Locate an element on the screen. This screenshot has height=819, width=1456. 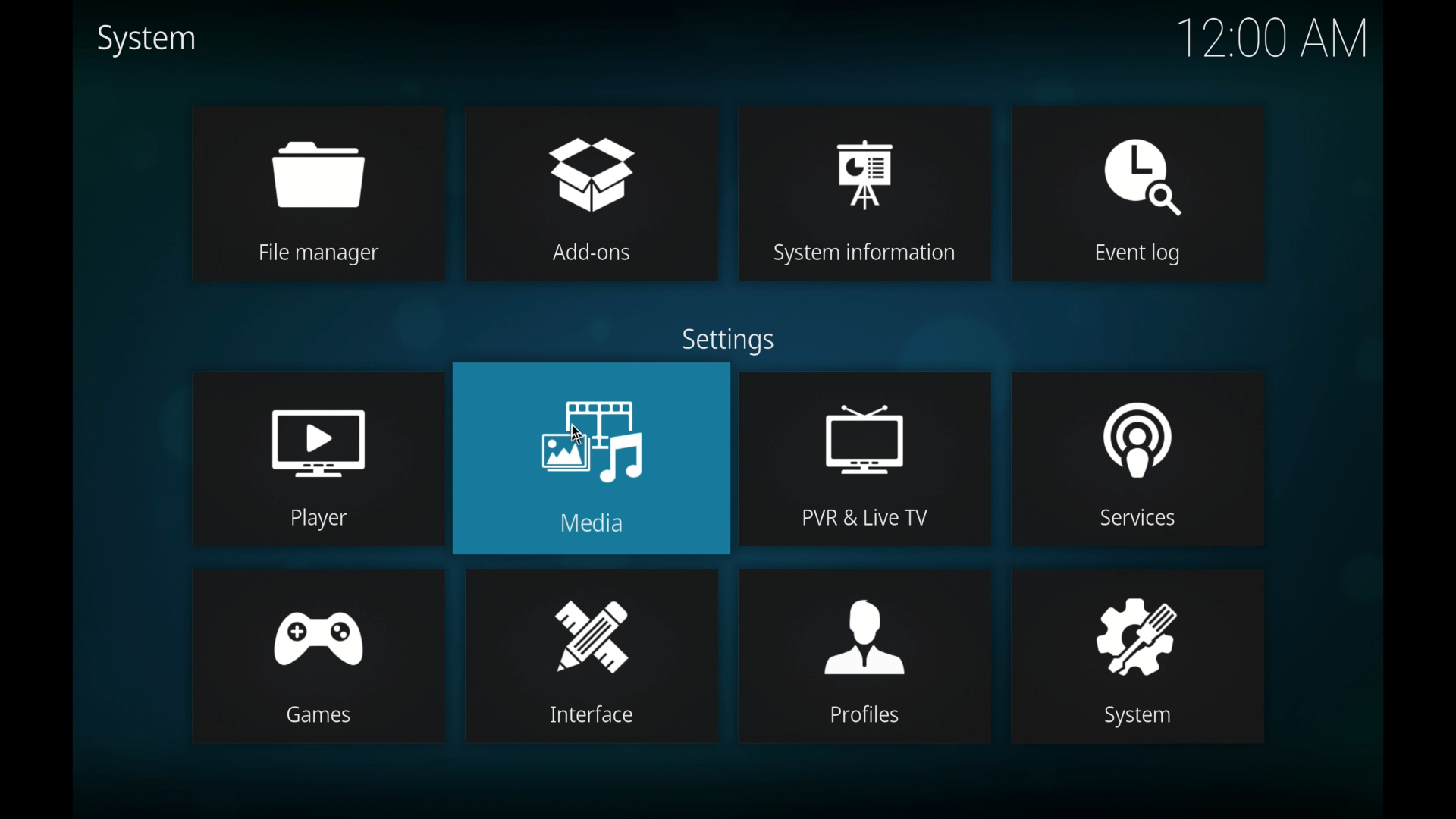
system information is located at coordinates (866, 195).